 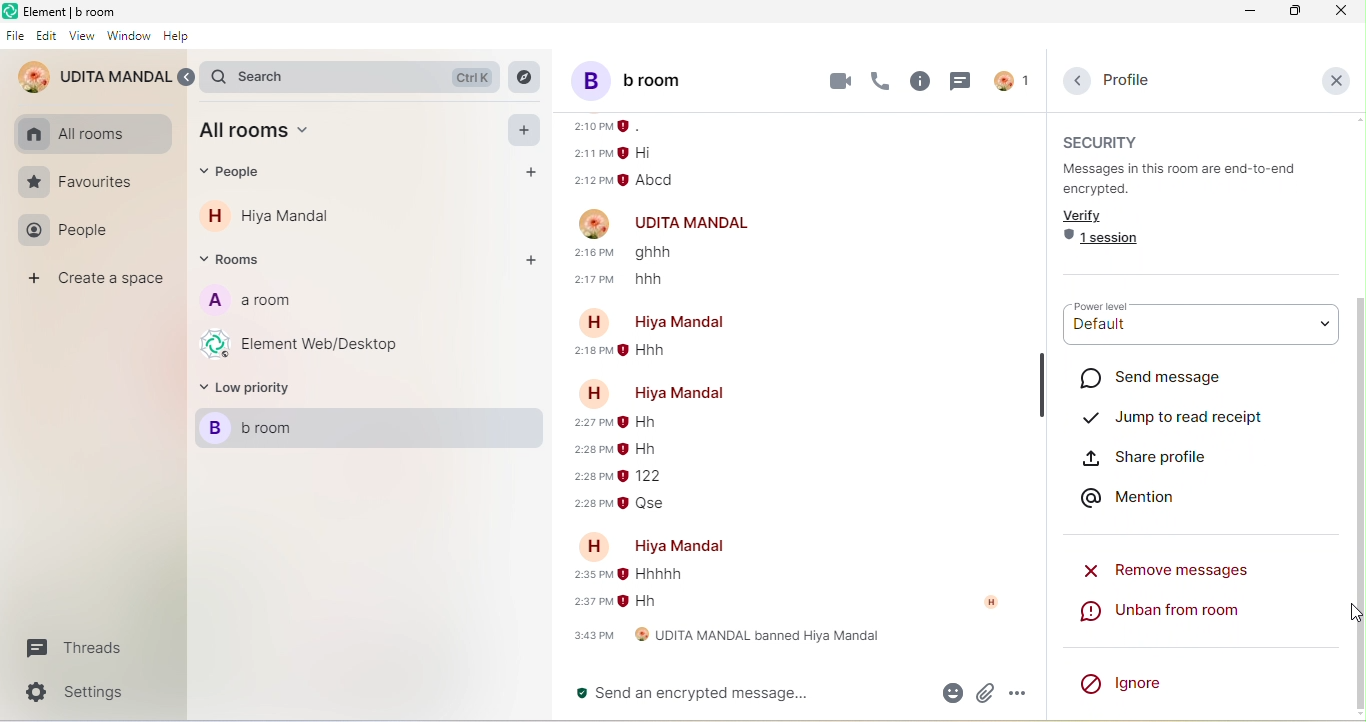 I want to click on default, so click(x=1199, y=334).